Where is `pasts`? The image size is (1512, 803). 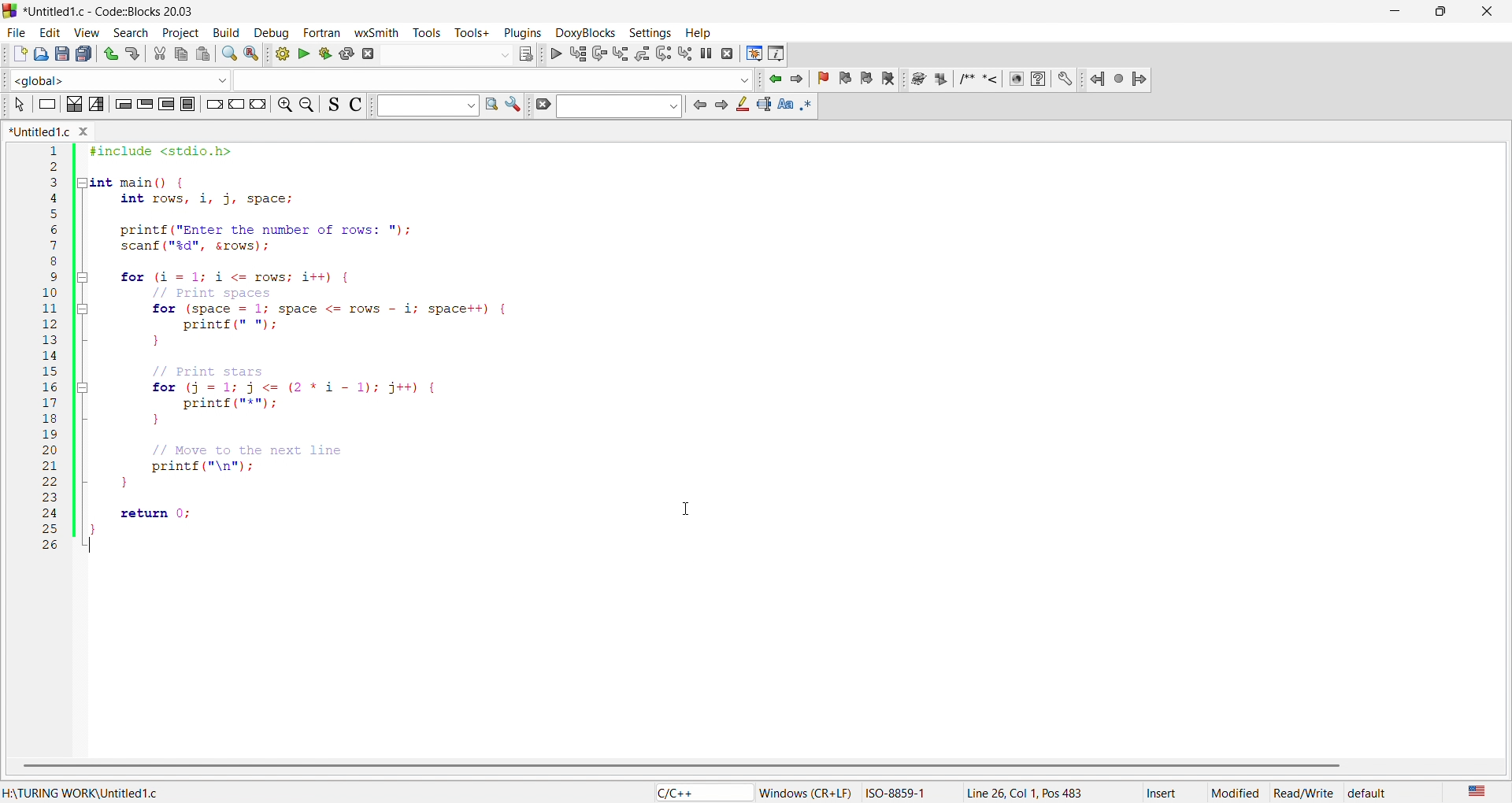
pasts is located at coordinates (202, 54).